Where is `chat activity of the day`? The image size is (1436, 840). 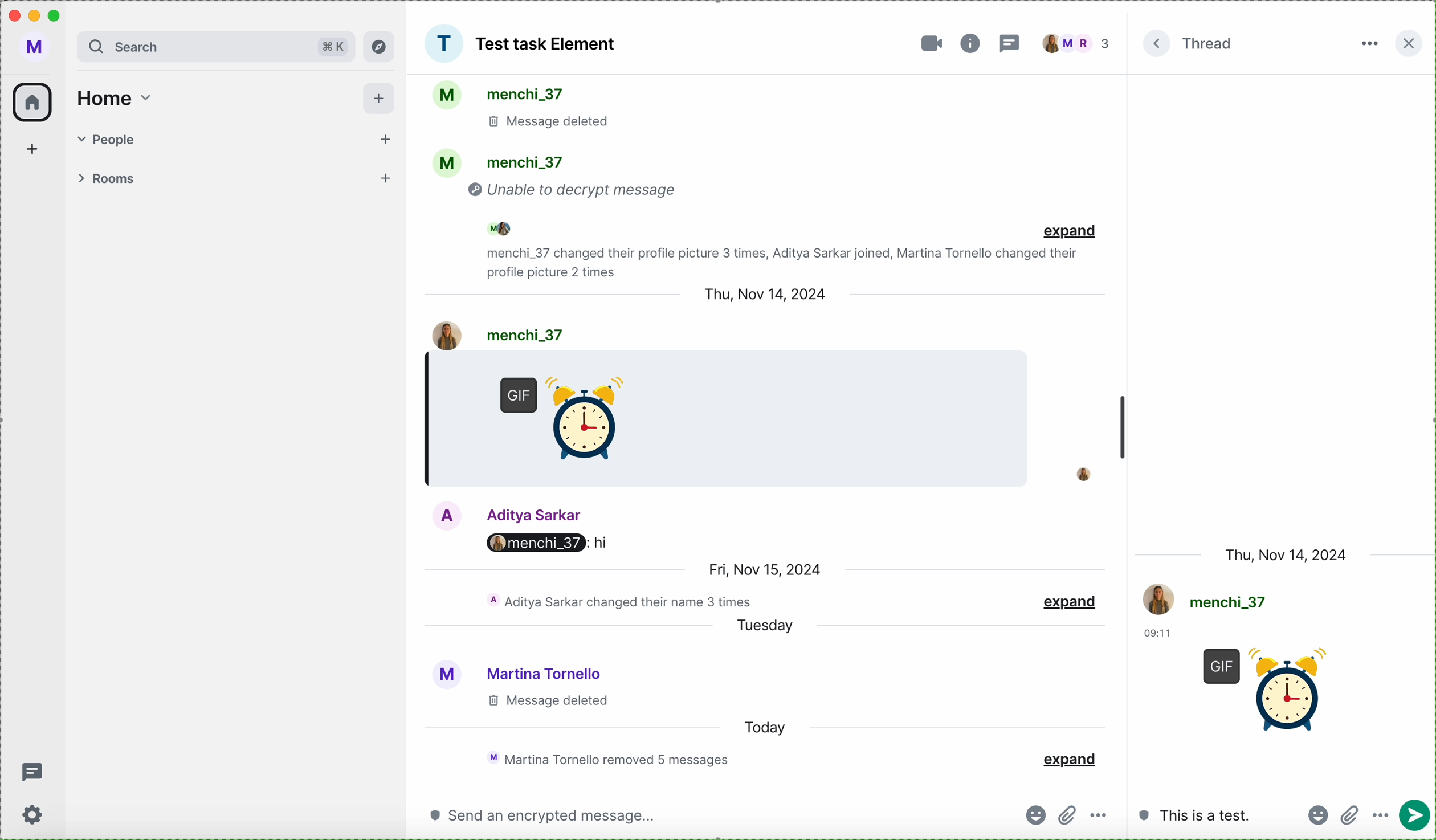
chat activity of the day is located at coordinates (604, 759).